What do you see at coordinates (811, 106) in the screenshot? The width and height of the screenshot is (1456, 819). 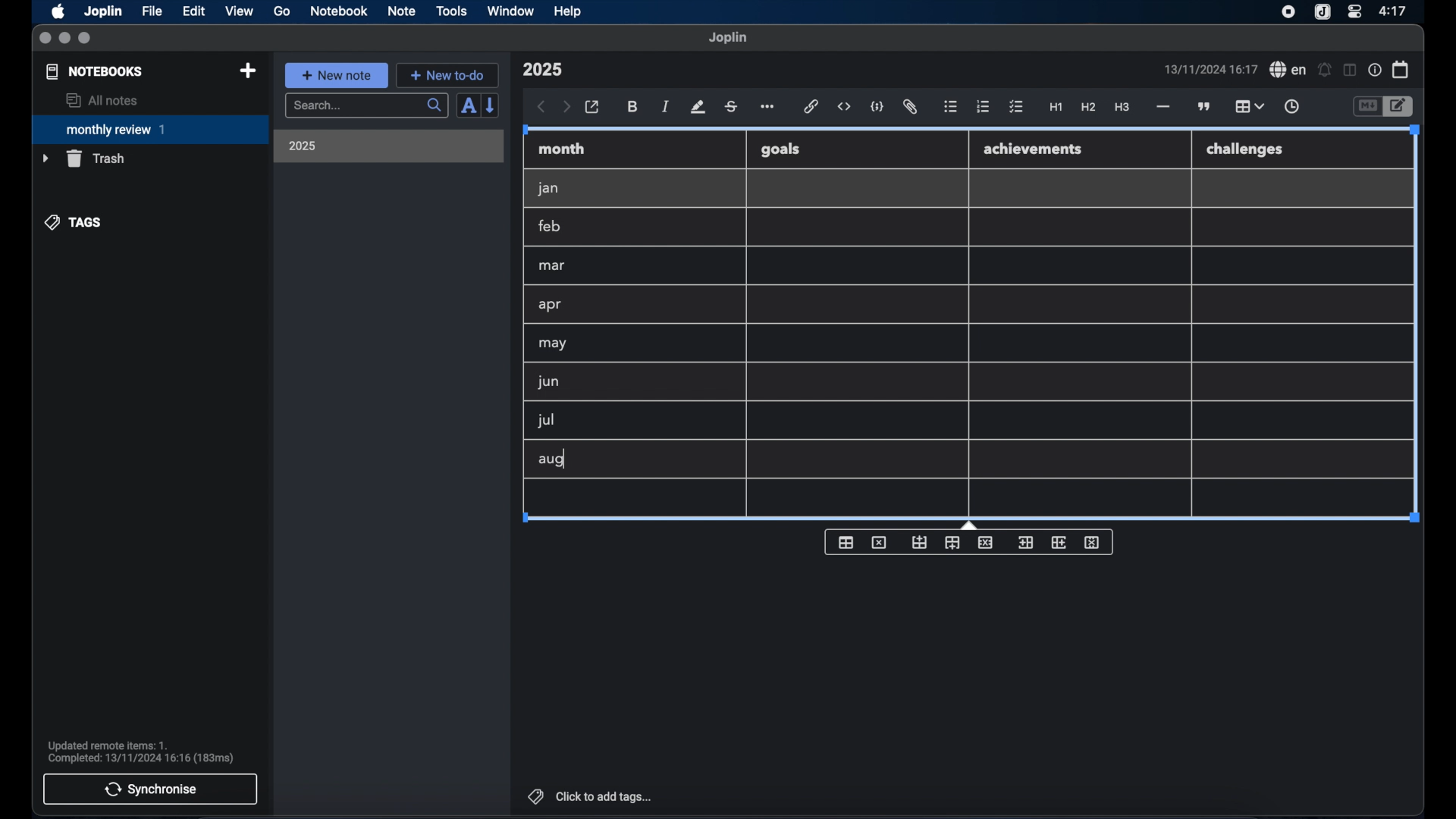 I see `hyperlink` at bounding box center [811, 106].